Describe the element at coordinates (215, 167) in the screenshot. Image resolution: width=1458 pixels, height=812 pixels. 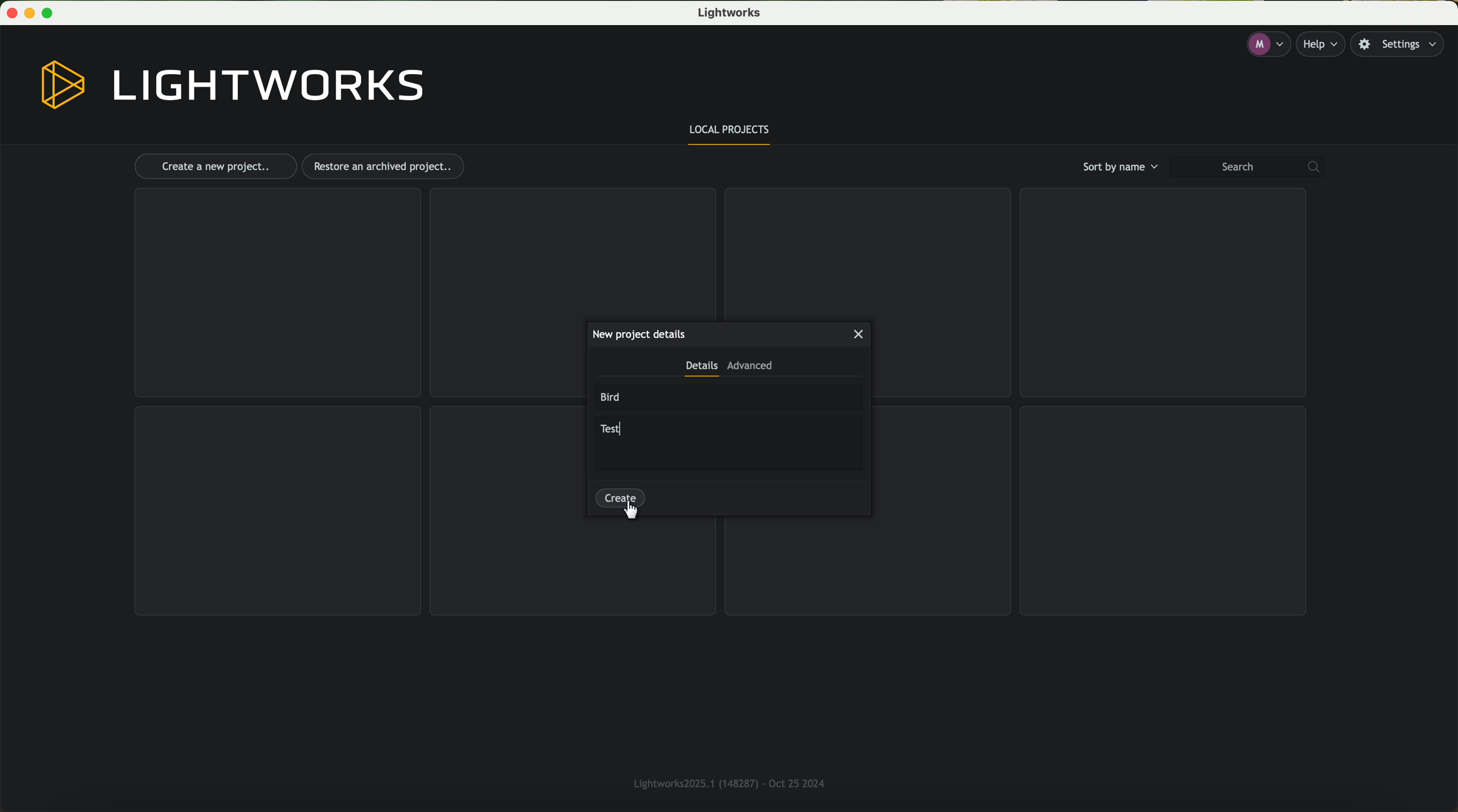
I see `click on create new project` at that location.